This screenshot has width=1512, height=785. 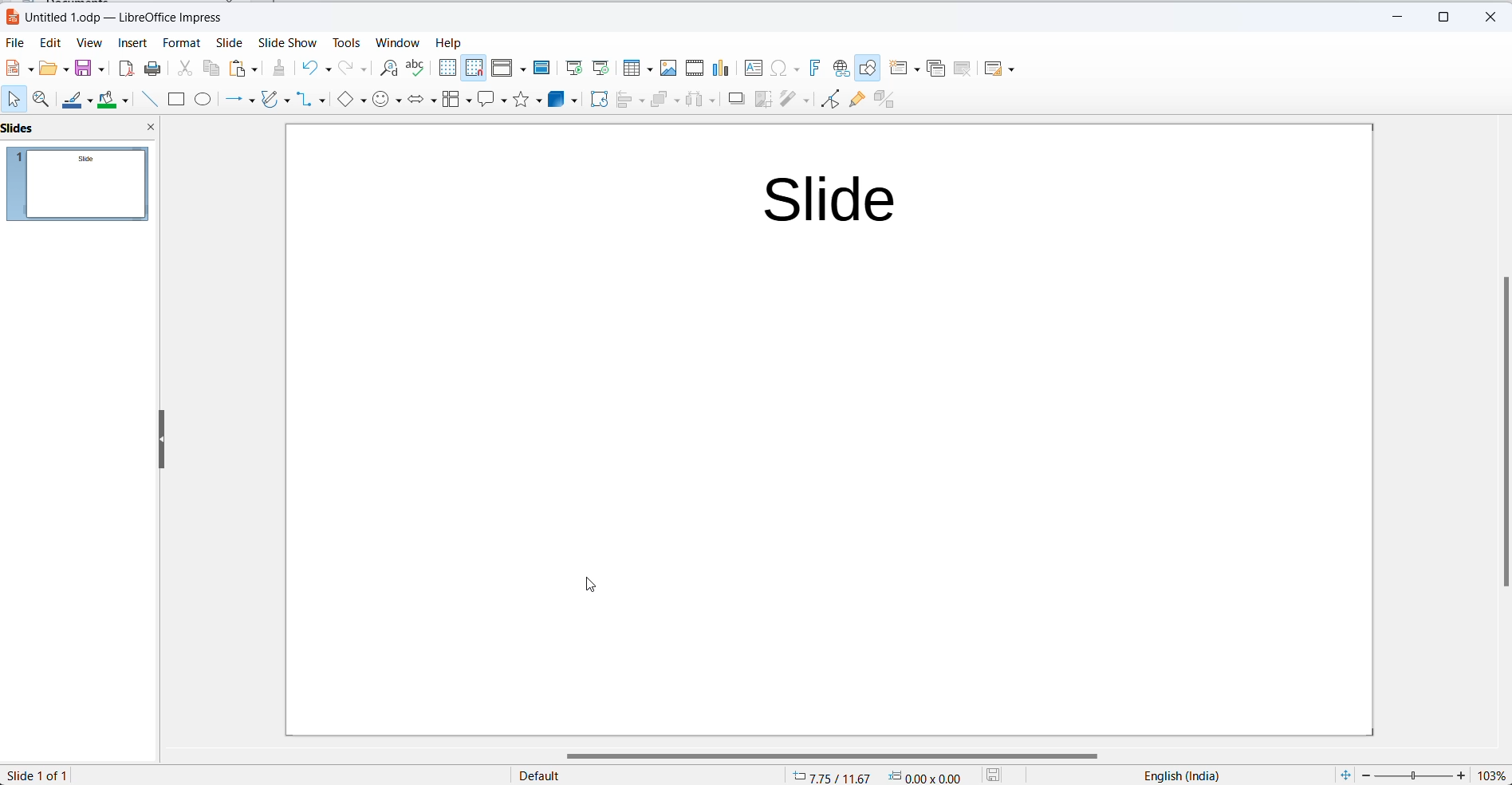 I want to click on tools, so click(x=345, y=44).